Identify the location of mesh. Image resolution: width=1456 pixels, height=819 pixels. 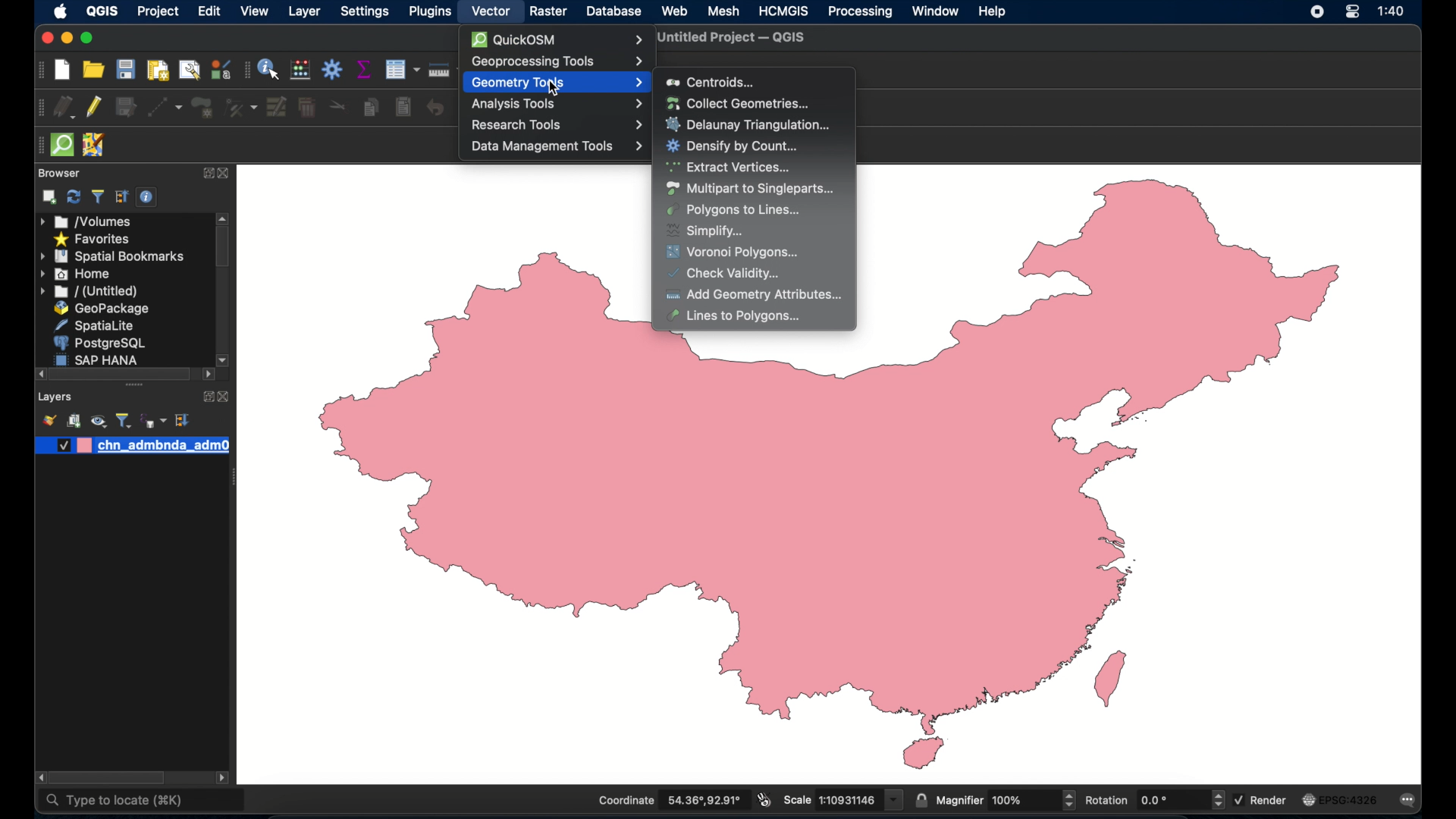
(724, 11).